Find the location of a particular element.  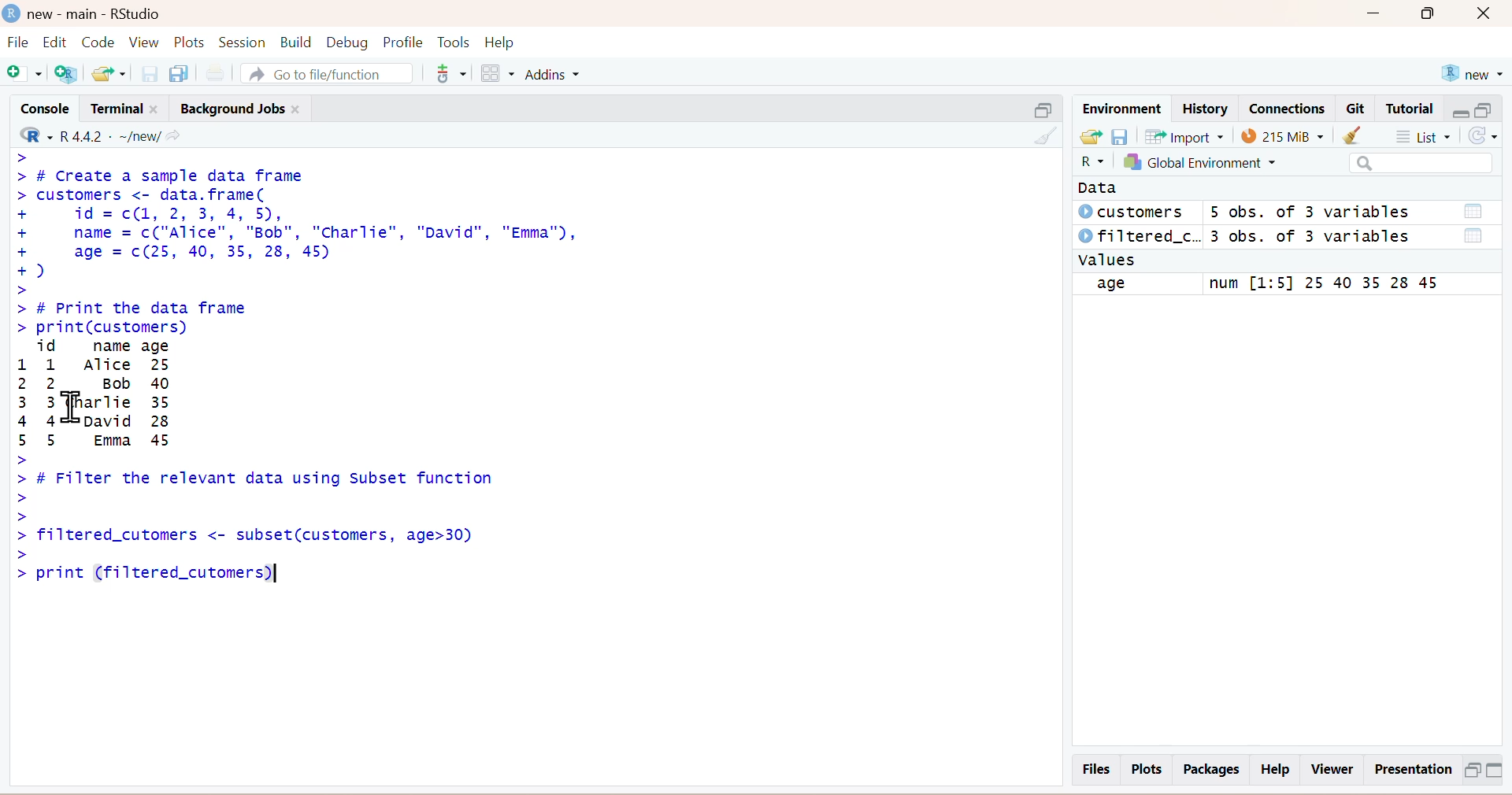

Tutorial is located at coordinates (1412, 109).